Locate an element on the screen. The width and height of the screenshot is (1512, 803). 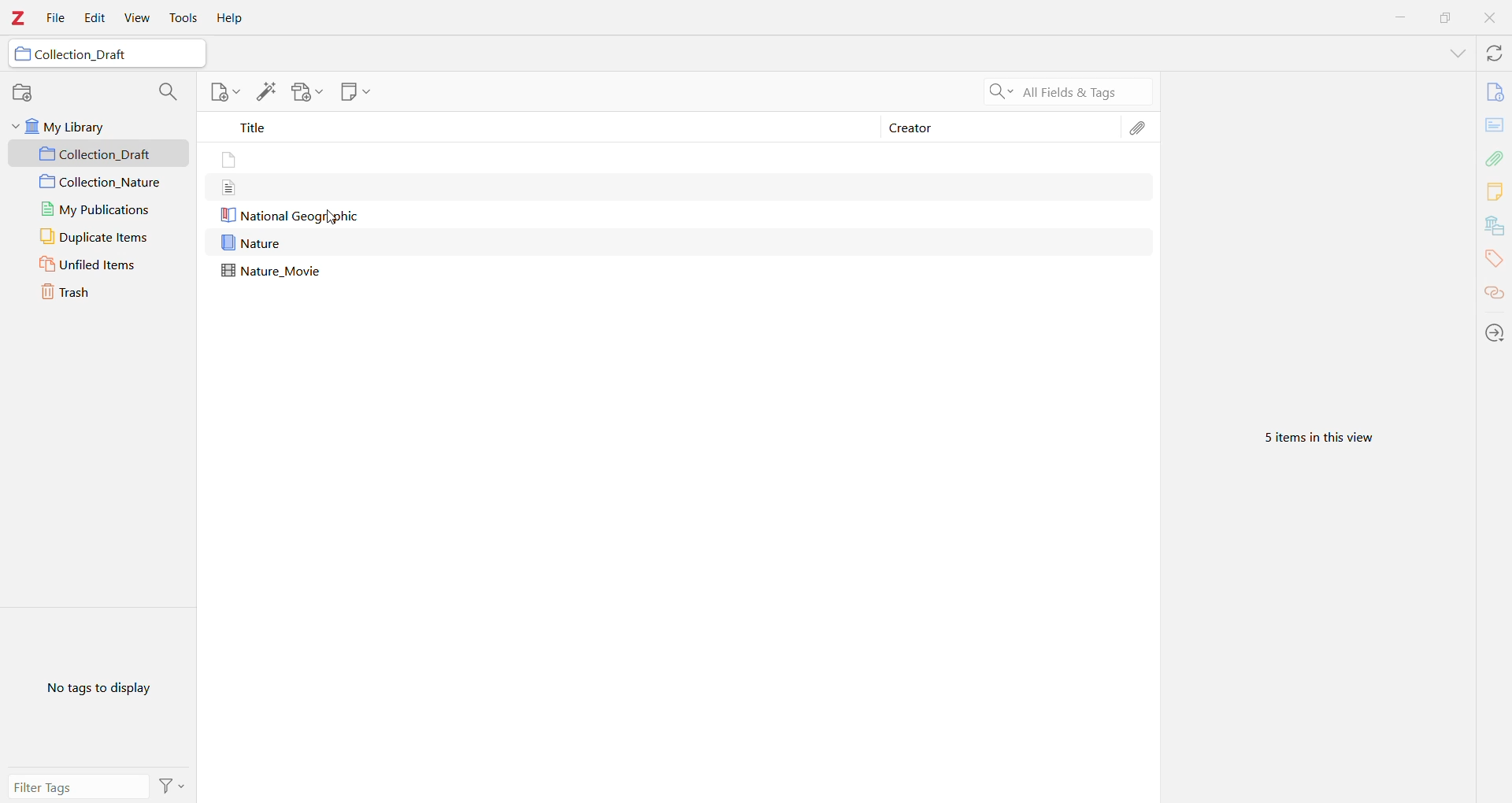
Close is located at coordinates (1490, 18).